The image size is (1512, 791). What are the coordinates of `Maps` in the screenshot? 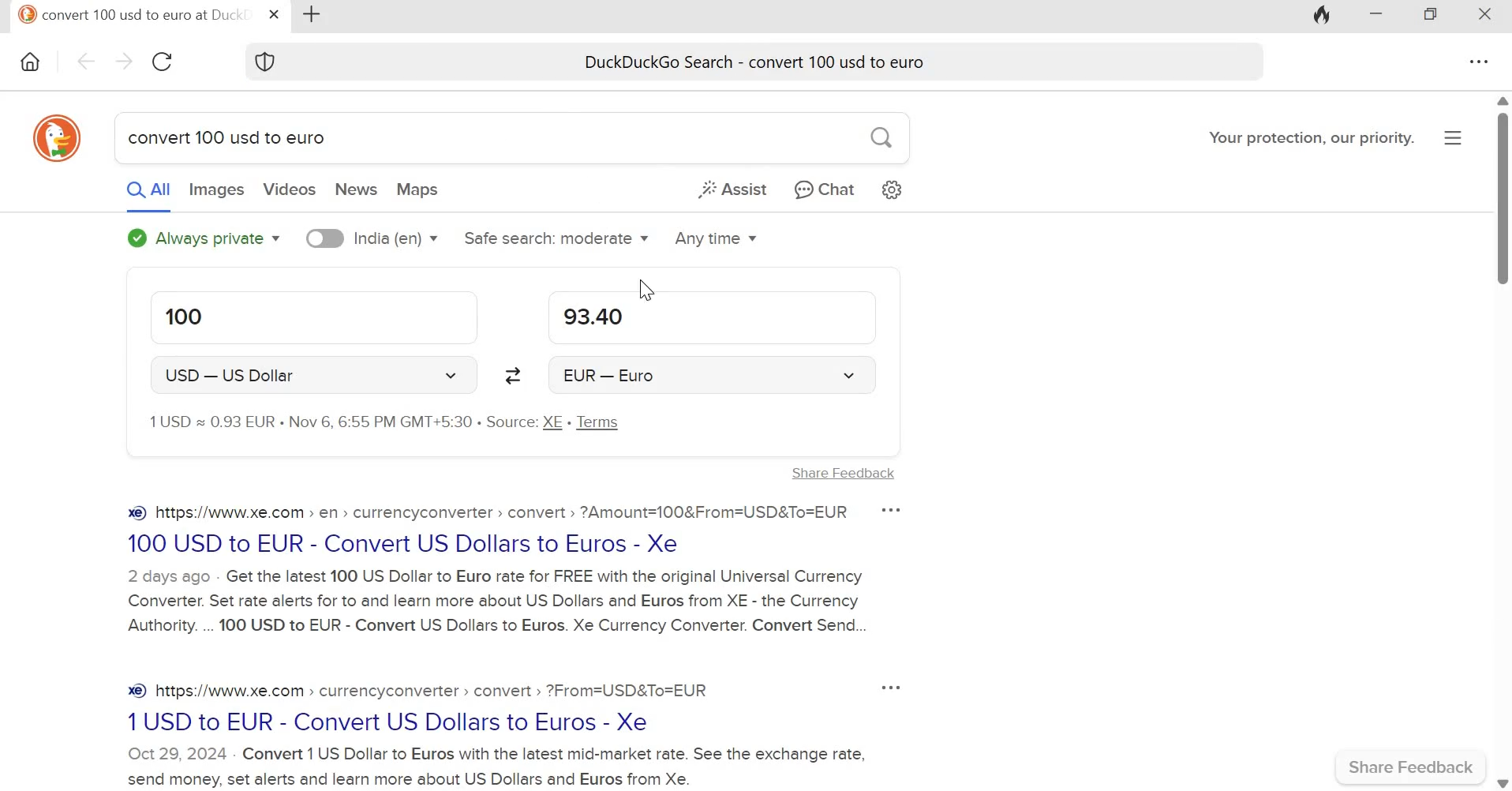 It's located at (418, 189).